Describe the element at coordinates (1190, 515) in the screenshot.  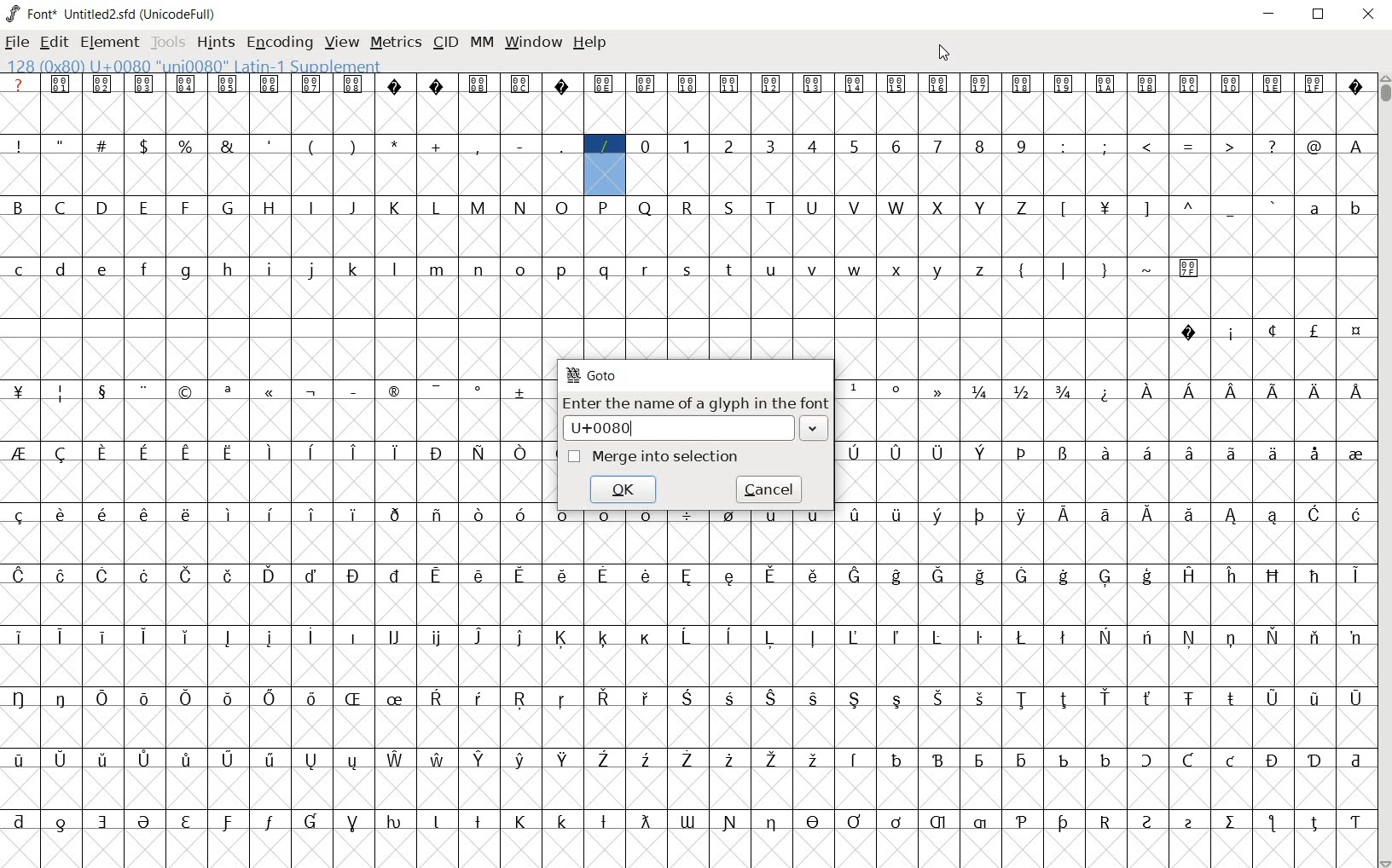
I see `glyph` at that location.